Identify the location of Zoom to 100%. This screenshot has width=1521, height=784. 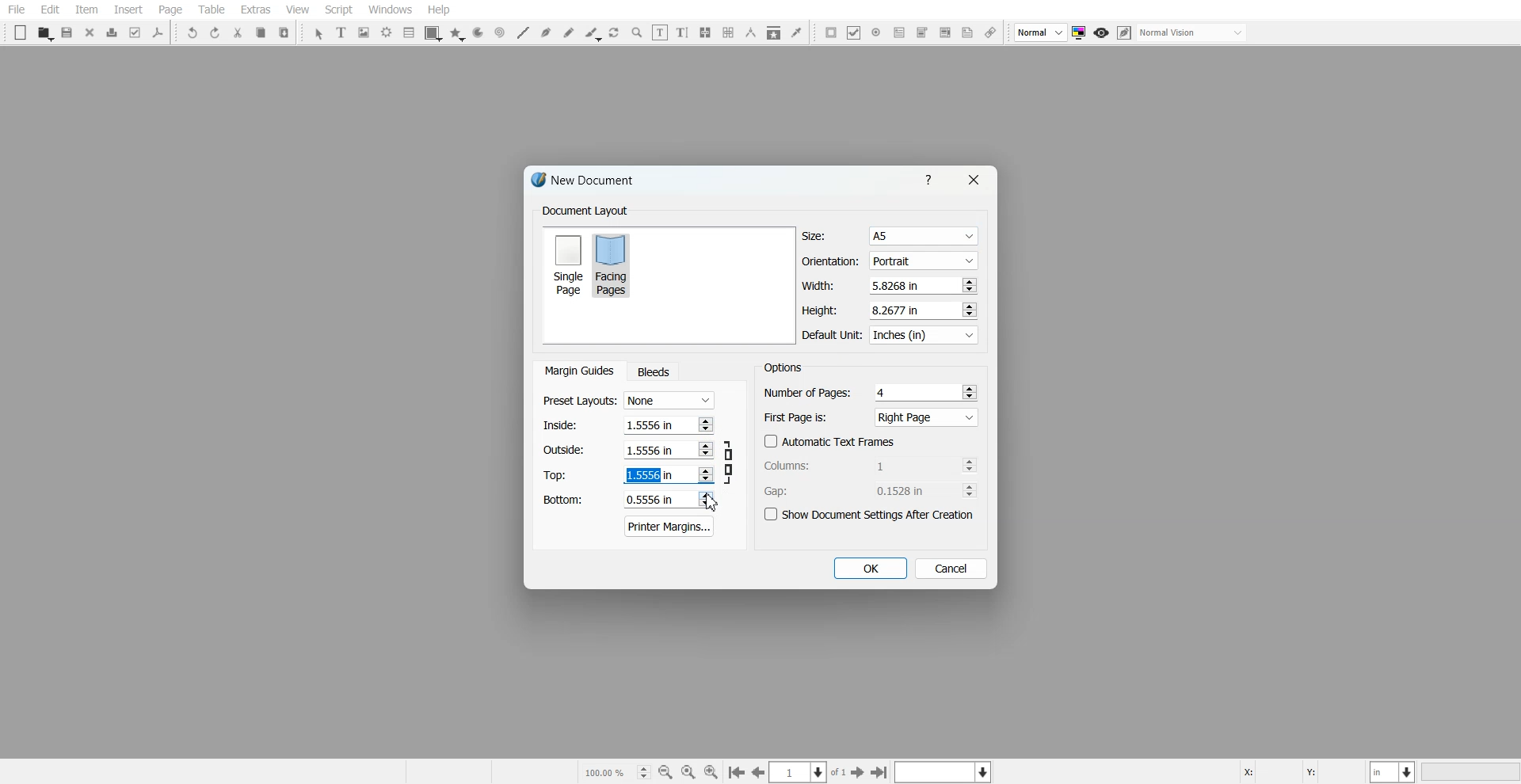
(688, 771).